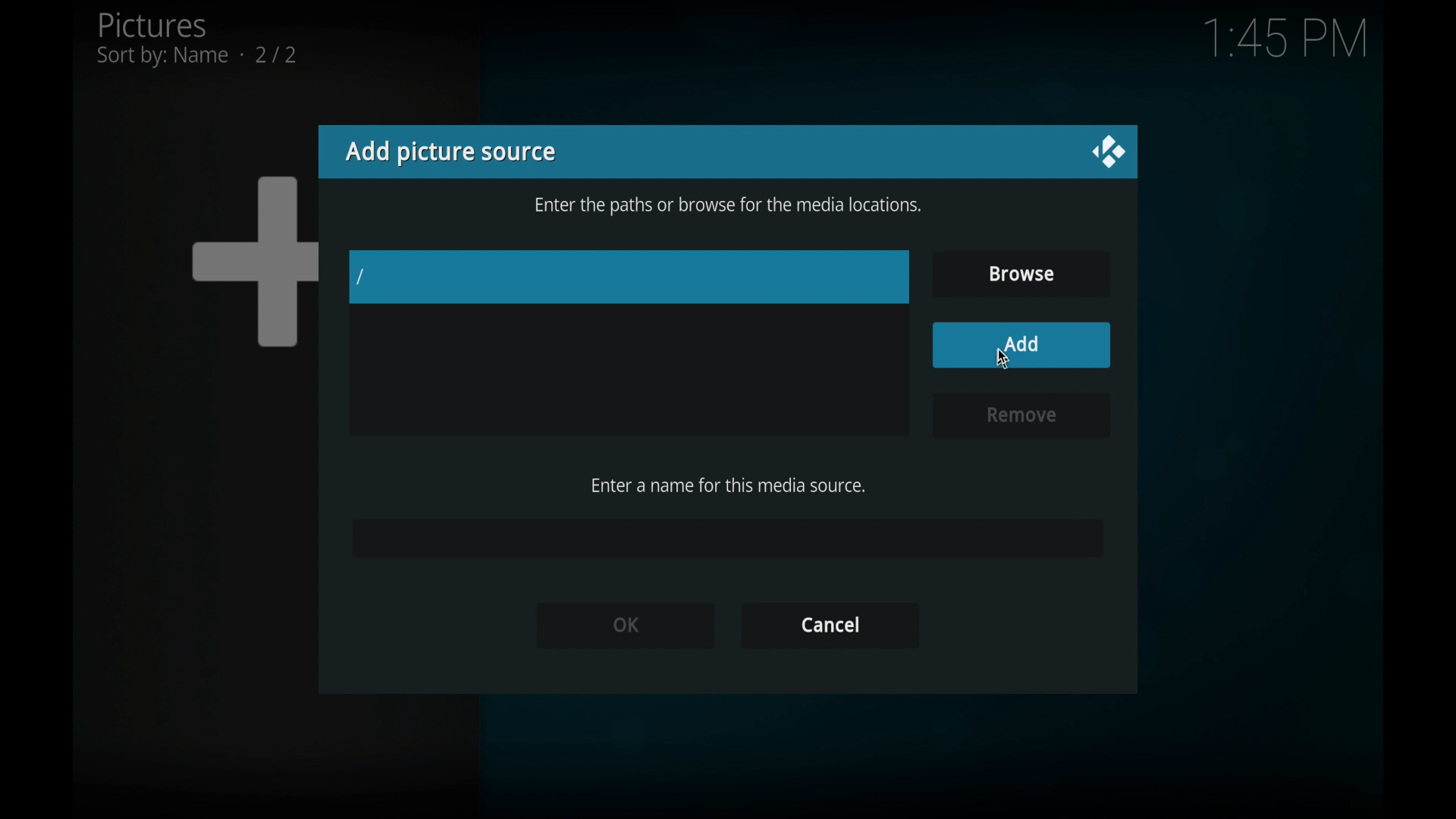 This screenshot has width=1456, height=819. What do you see at coordinates (728, 207) in the screenshot?
I see `info` at bounding box center [728, 207].